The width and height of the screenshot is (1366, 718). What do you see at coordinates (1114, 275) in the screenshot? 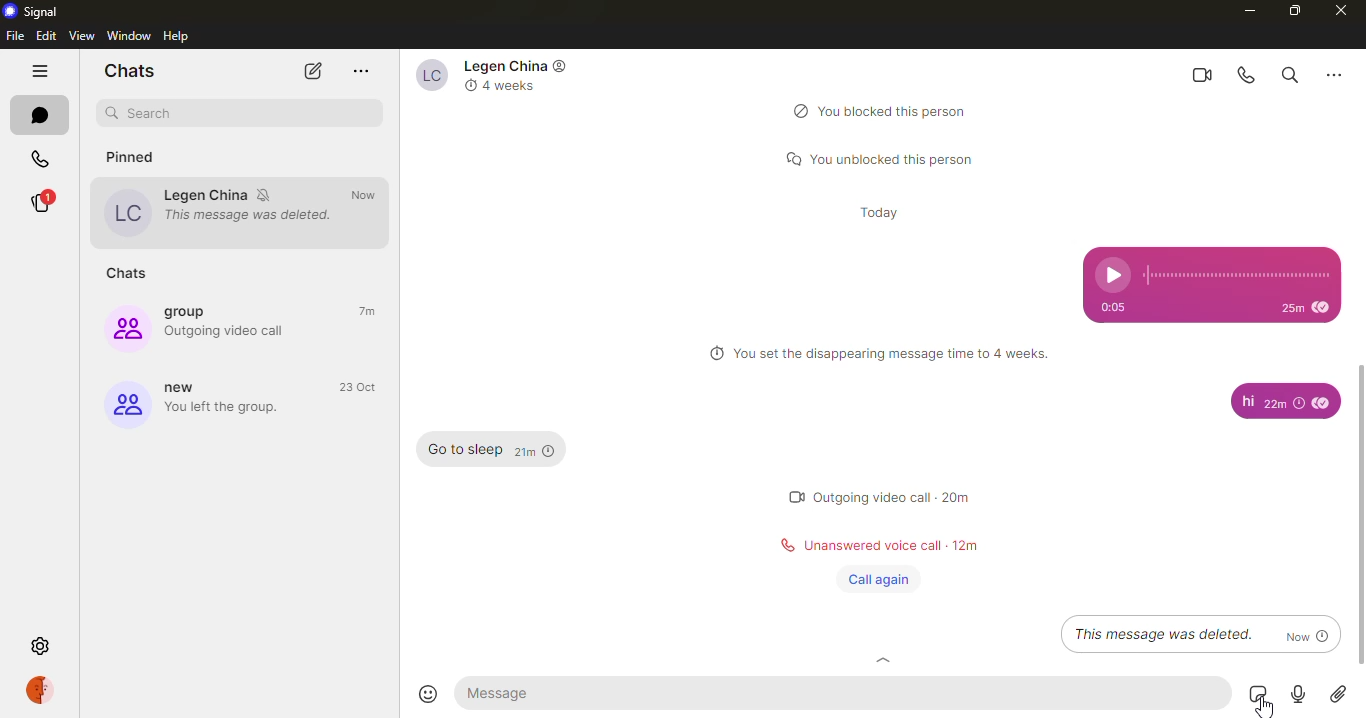
I see `play` at bounding box center [1114, 275].